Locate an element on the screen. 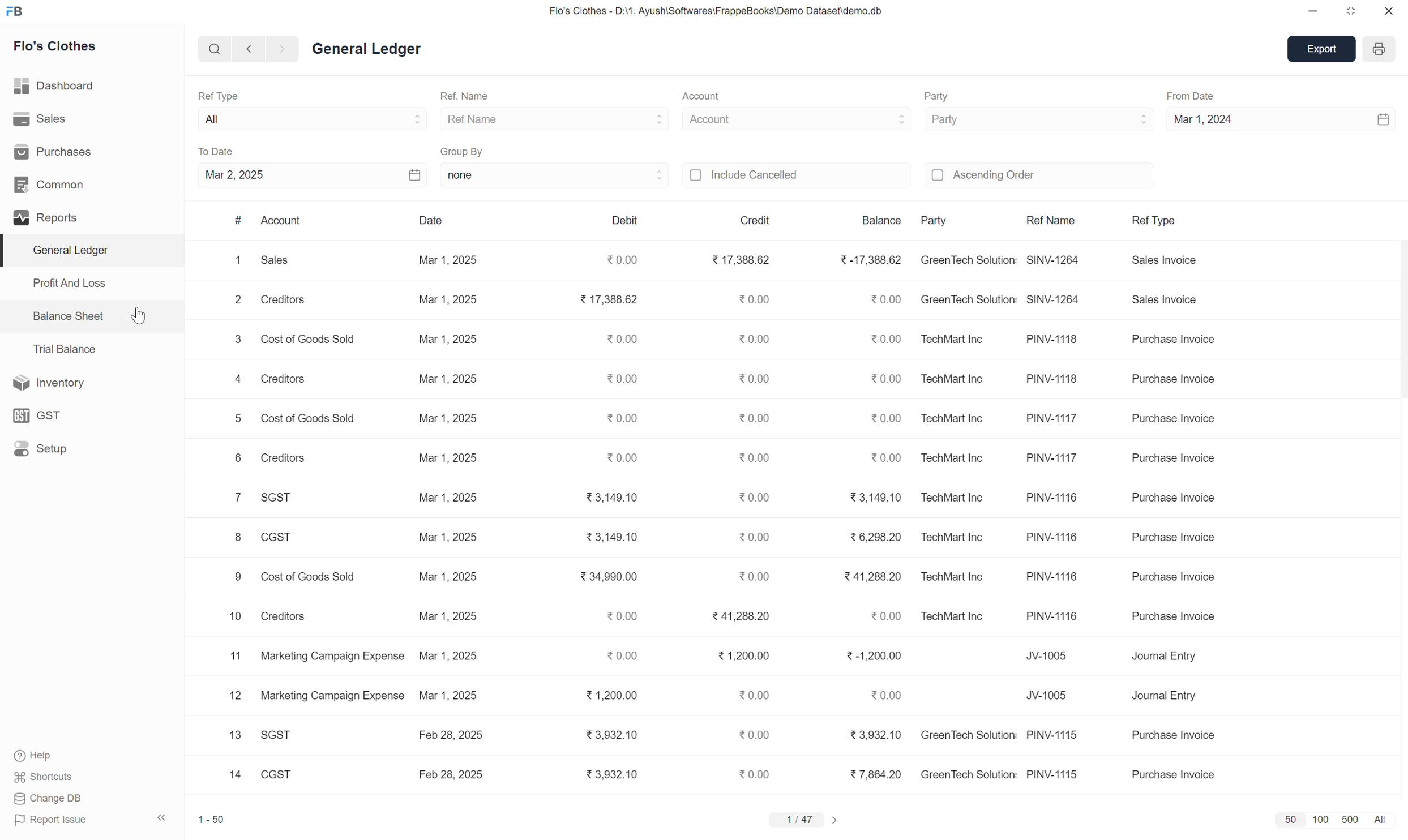 The image size is (1408, 840). 500 is located at coordinates (1350, 820).